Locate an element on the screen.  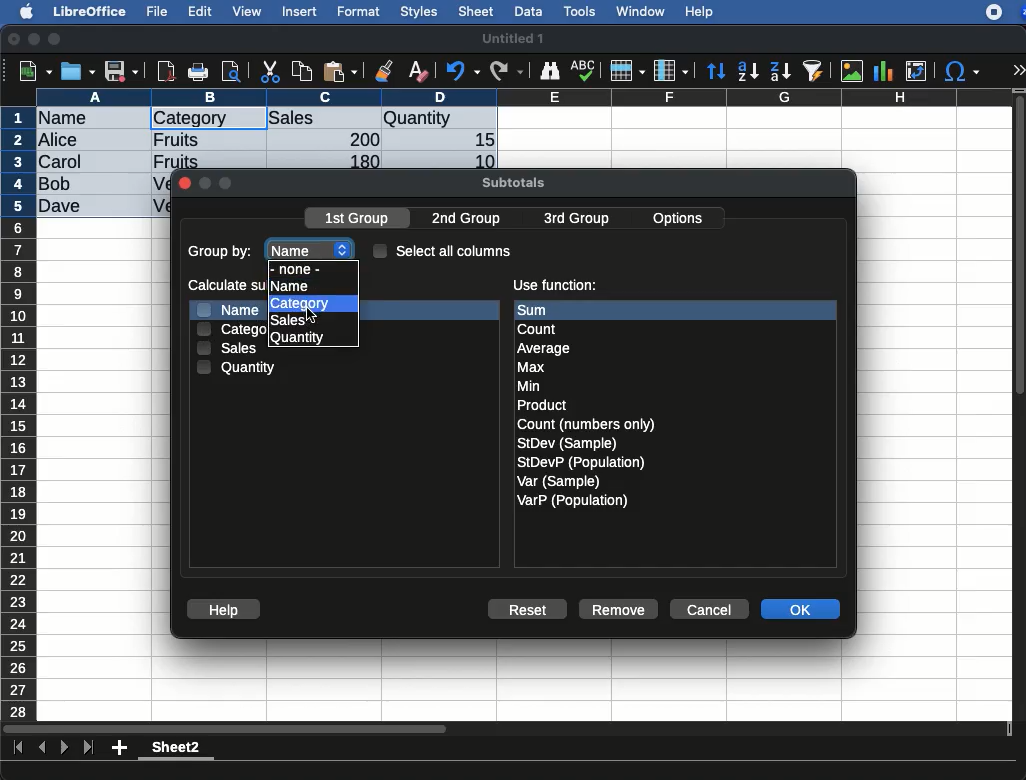
Var (sample) is located at coordinates (560, 481).